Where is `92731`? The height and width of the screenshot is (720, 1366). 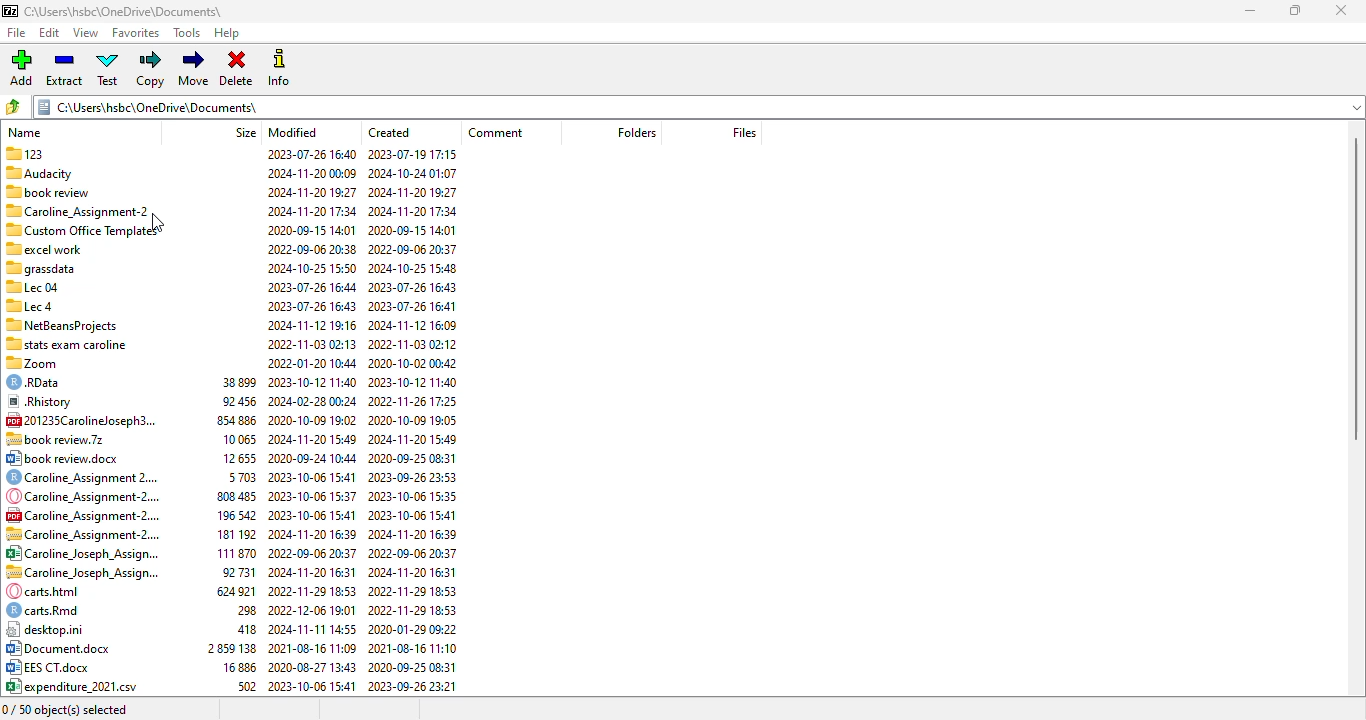 92731 is located at coordinates (240, 571).